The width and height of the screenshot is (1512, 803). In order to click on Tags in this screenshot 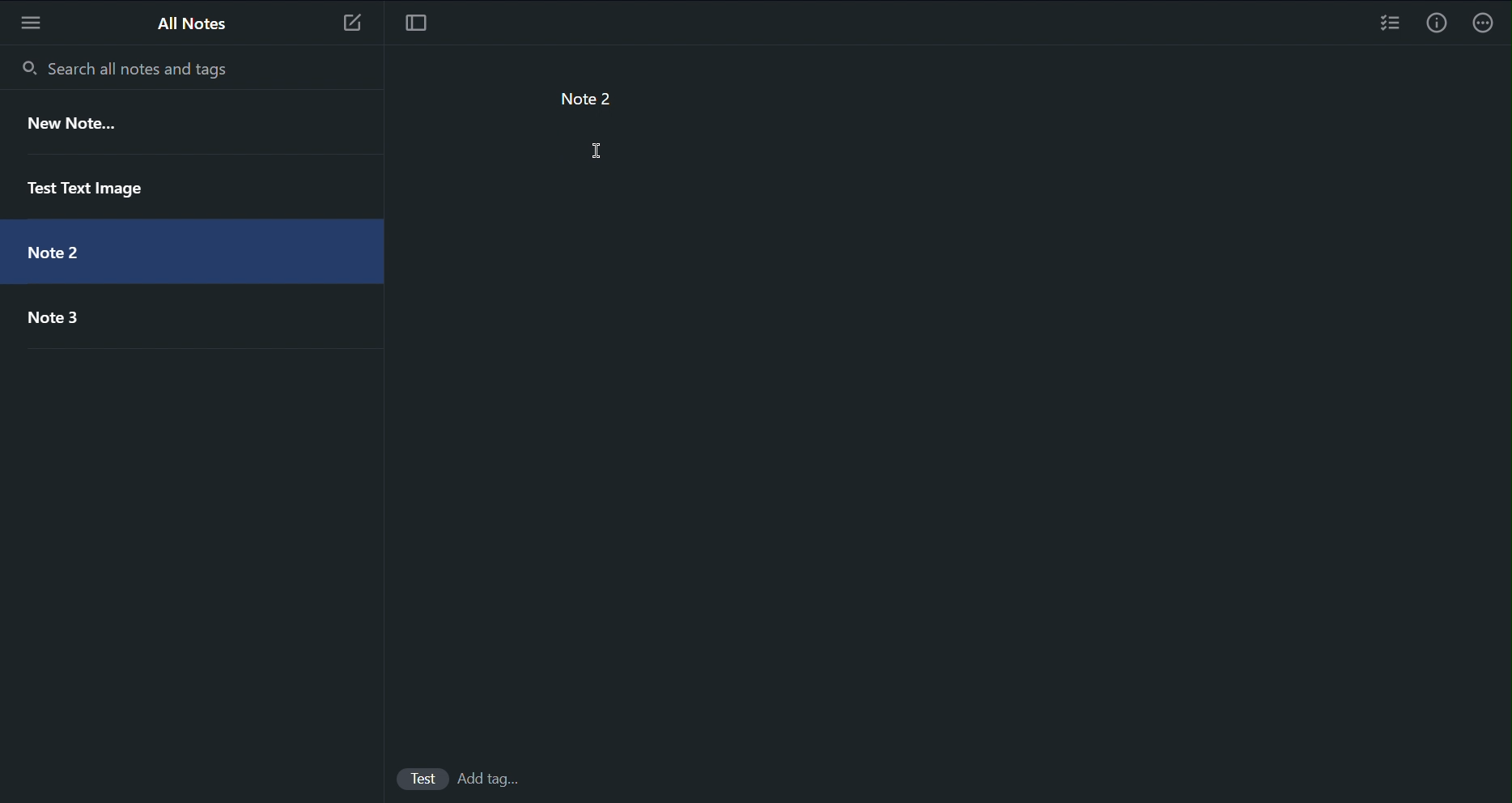, I will do `click(498, 780)`.